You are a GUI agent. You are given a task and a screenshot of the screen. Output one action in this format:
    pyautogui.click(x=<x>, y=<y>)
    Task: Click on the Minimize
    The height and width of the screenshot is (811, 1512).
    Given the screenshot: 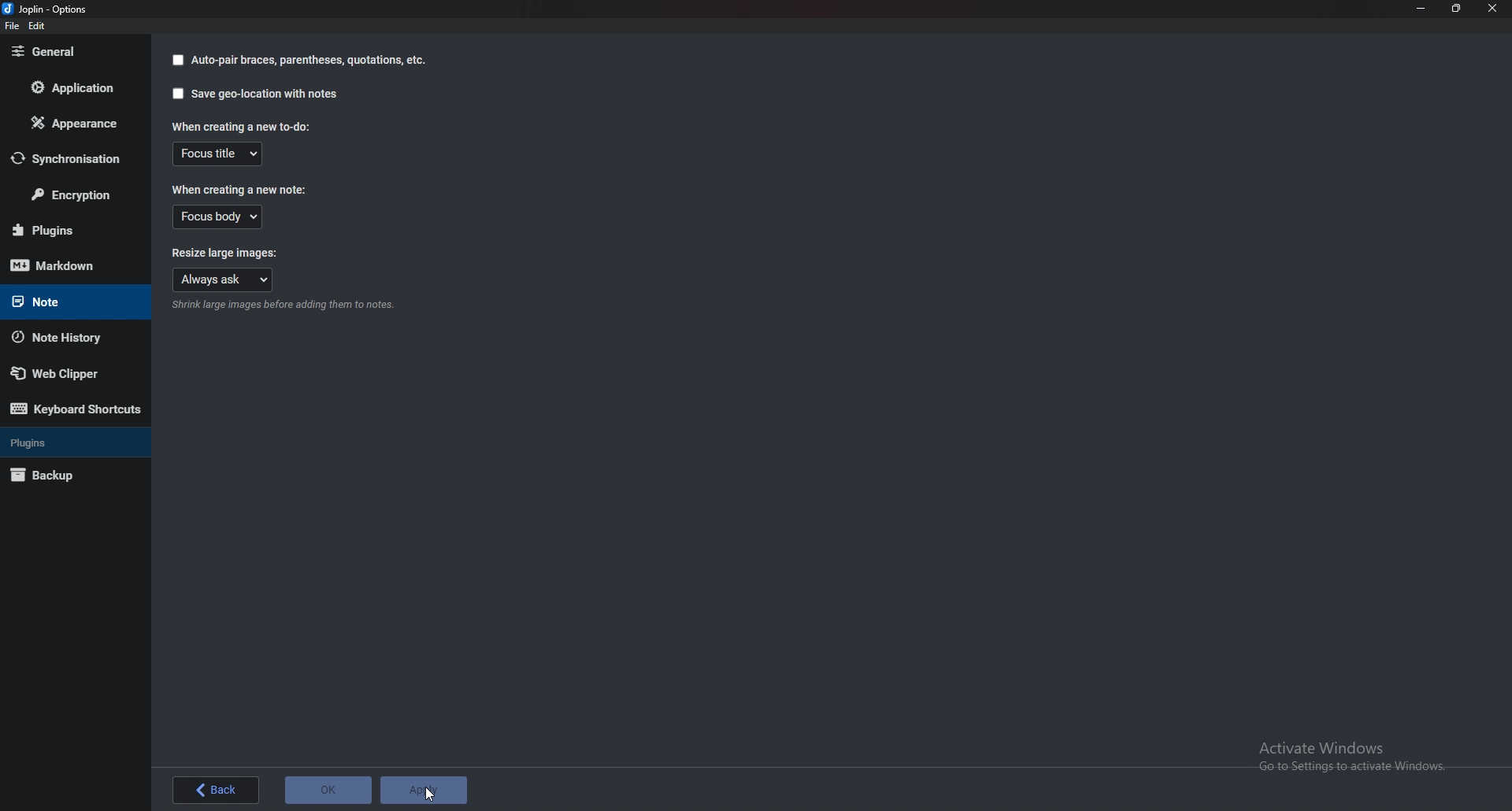 What is the action you would take?
    pyautogui.click(x=1420, y=8)
    